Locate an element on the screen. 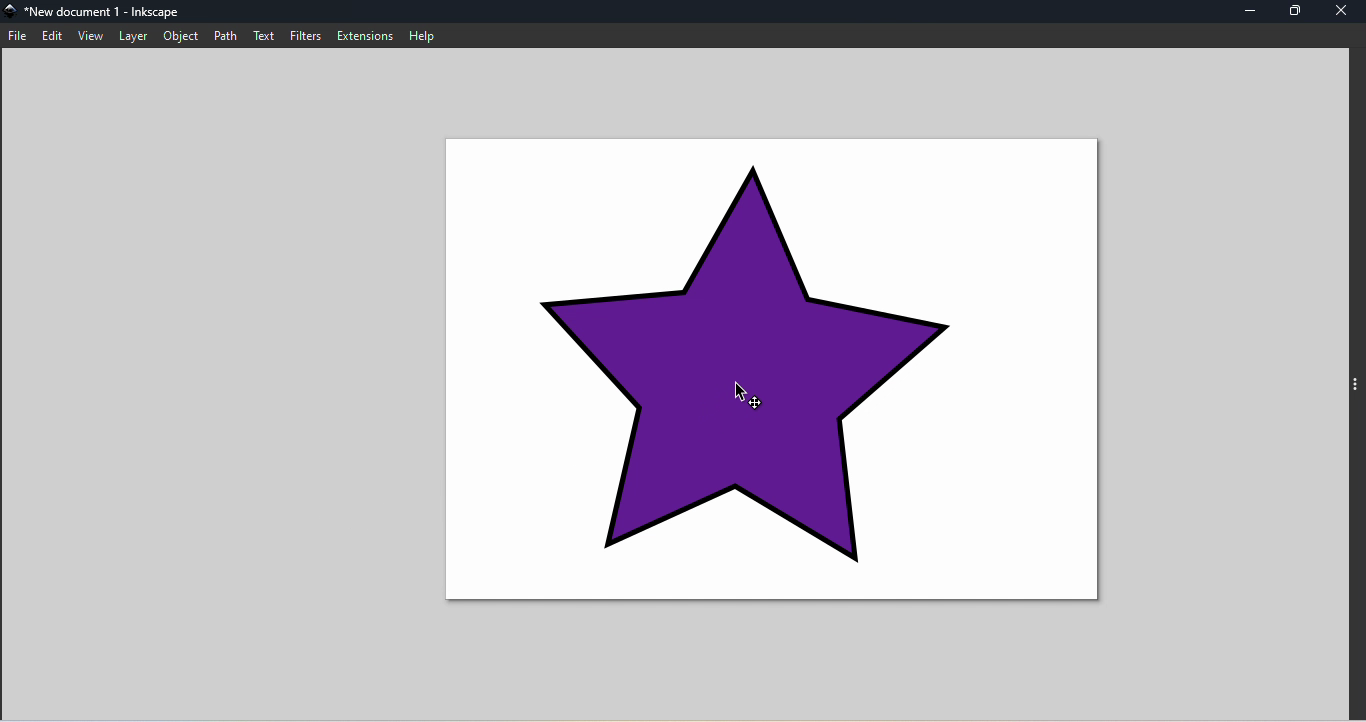 The height and width of the screenshot is (722, 1366). Extensions is located at coordinates (367, 37).